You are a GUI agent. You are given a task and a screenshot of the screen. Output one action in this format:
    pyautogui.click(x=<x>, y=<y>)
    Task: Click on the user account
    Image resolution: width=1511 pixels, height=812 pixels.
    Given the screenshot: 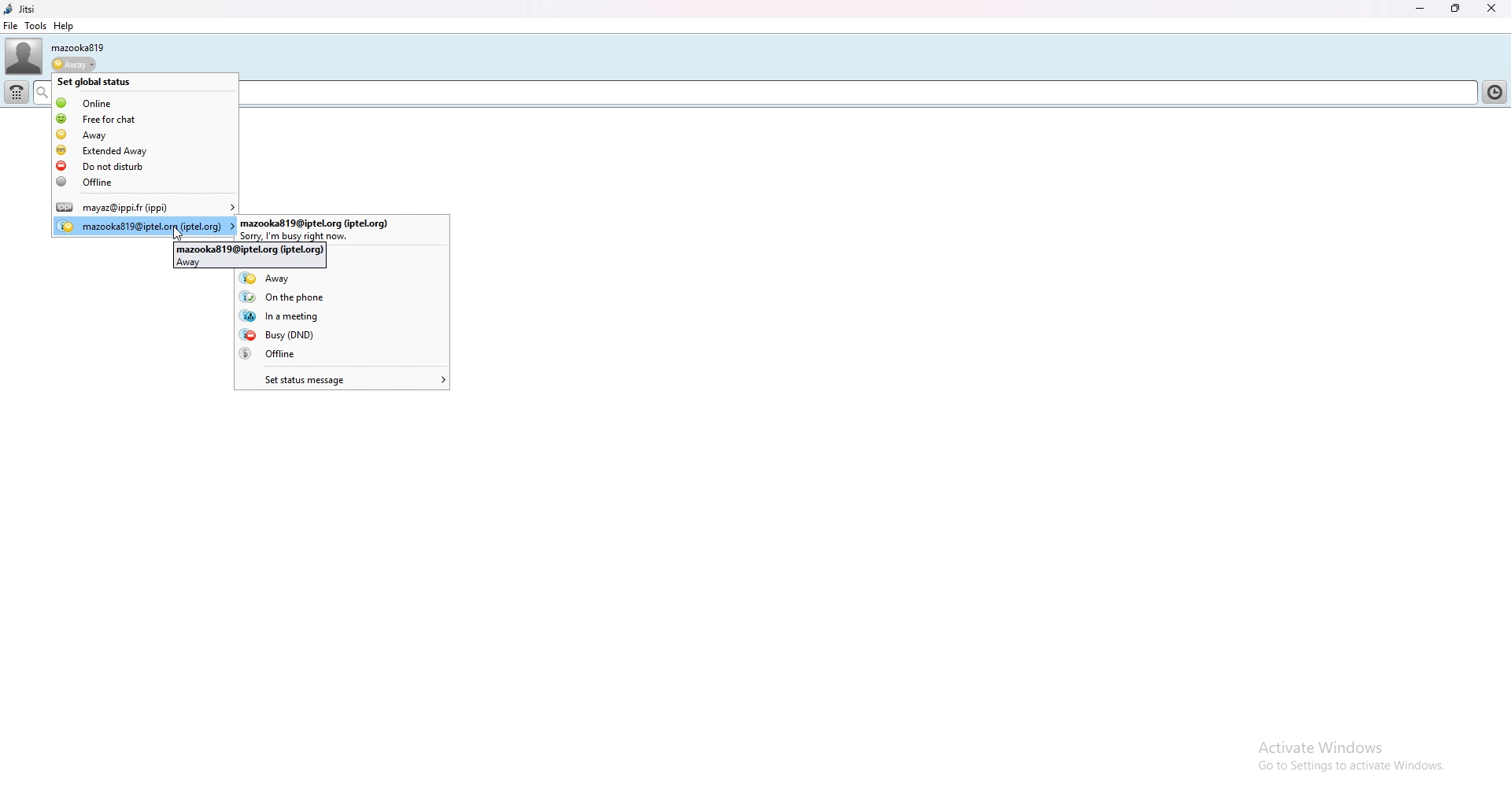 What is the action you would take?
    pyautogui.click(x=345, y=227)
    